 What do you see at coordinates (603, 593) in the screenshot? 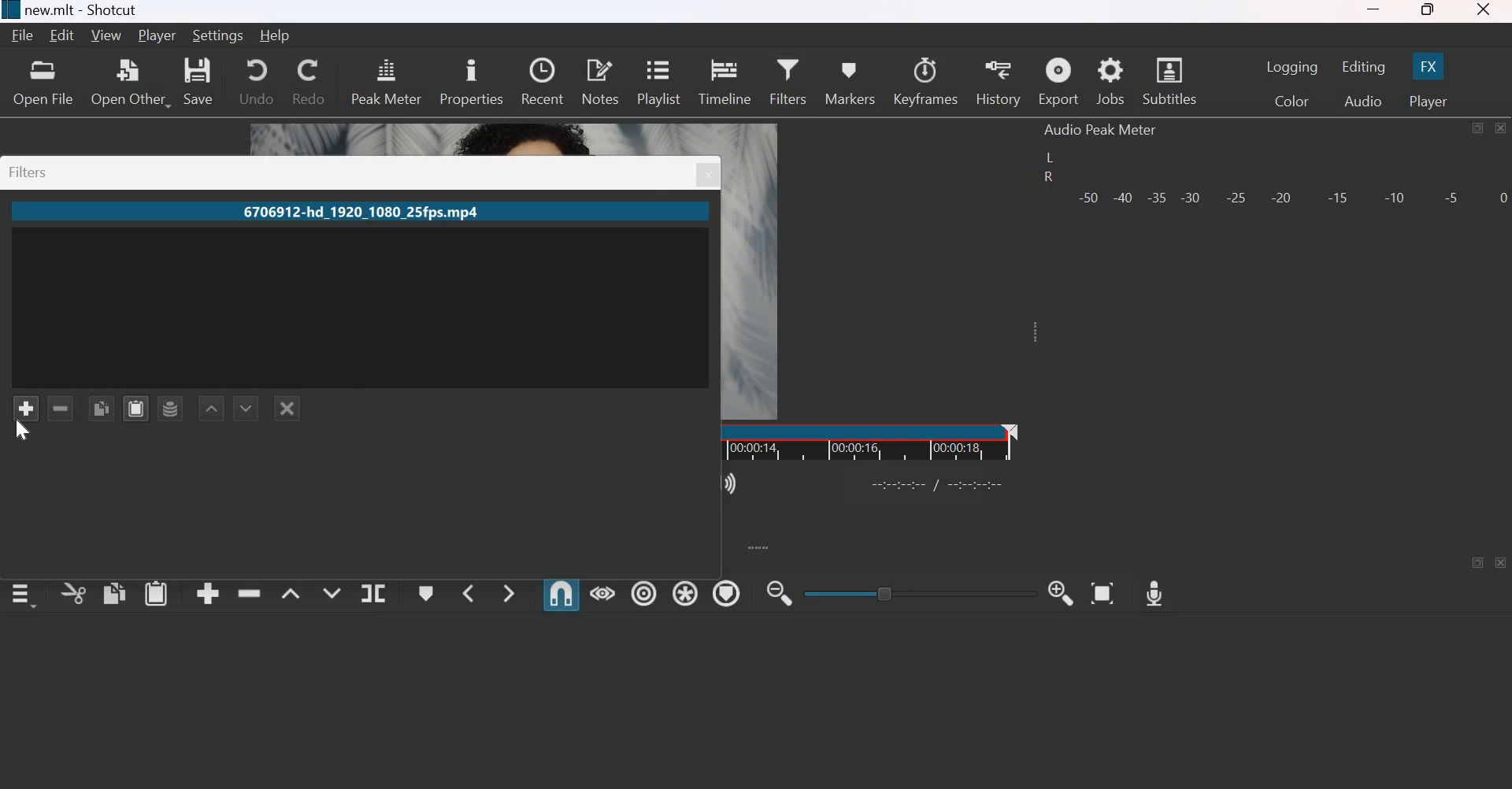
I see `Scrub while dragging` at bounding box center [603, 593].